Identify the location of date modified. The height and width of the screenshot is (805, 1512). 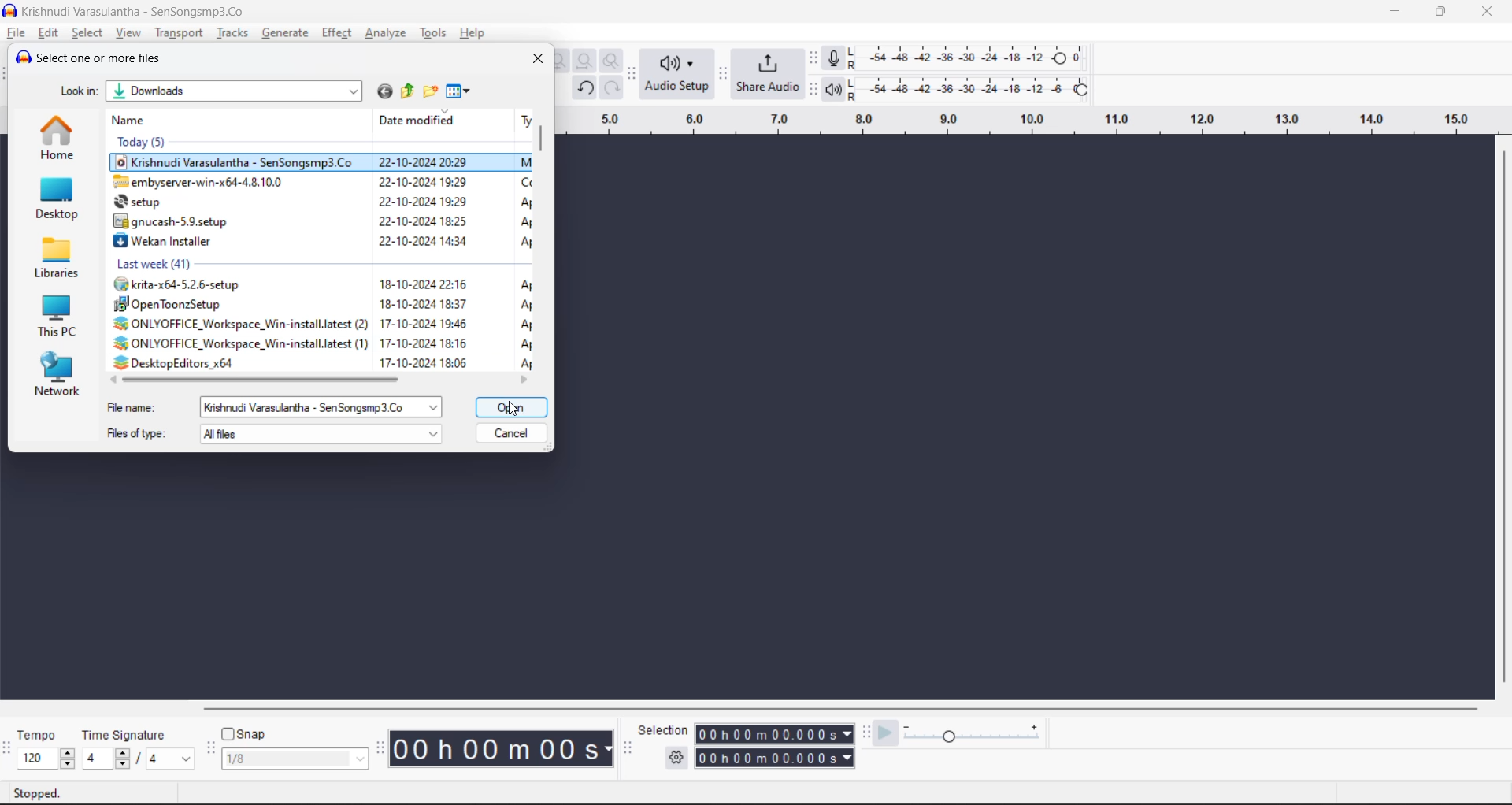
(419, 121).